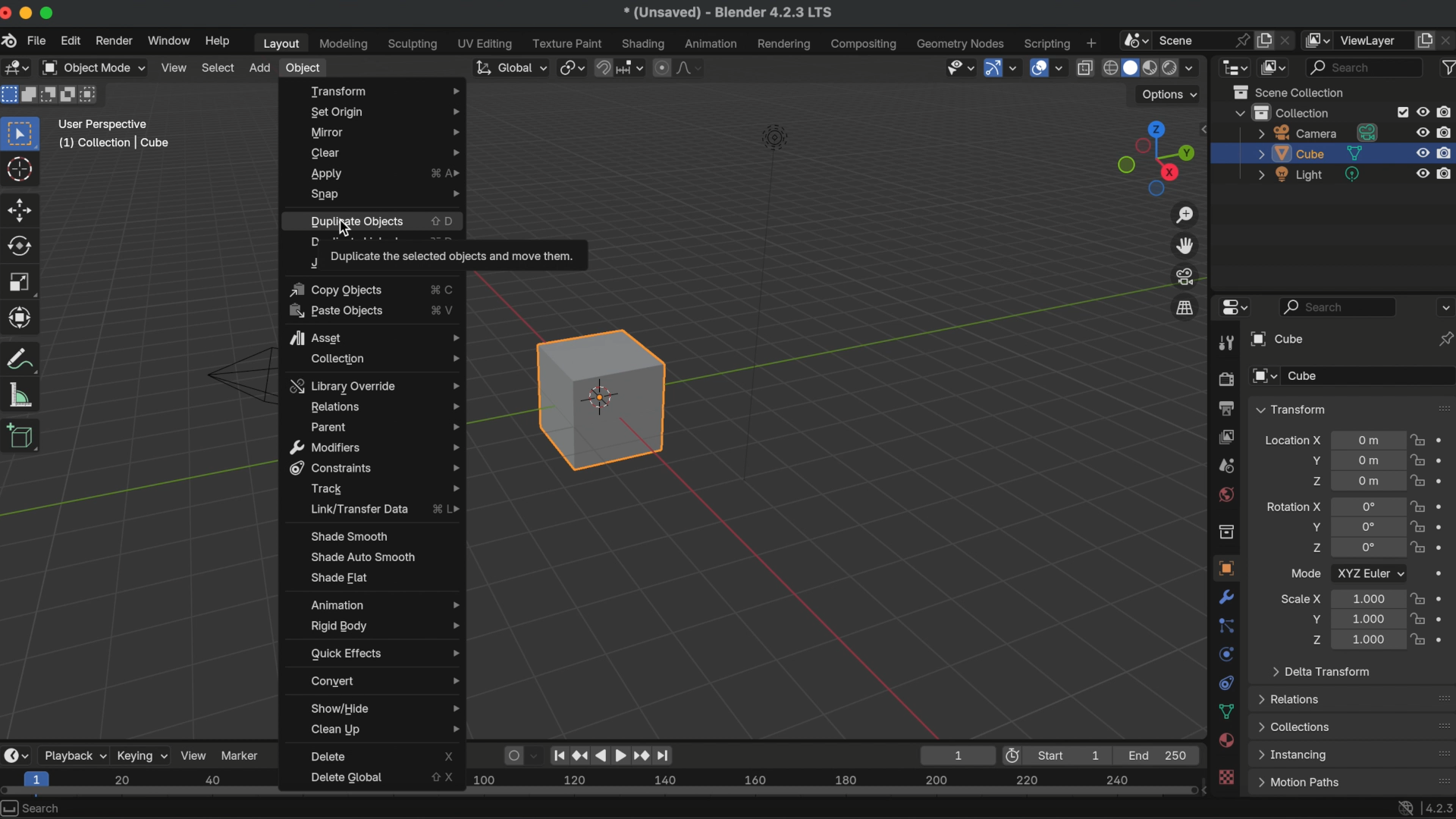 Image resolution: width=1456 pixels, height=819 pixels. I want to click on light source, so click(762, 300).